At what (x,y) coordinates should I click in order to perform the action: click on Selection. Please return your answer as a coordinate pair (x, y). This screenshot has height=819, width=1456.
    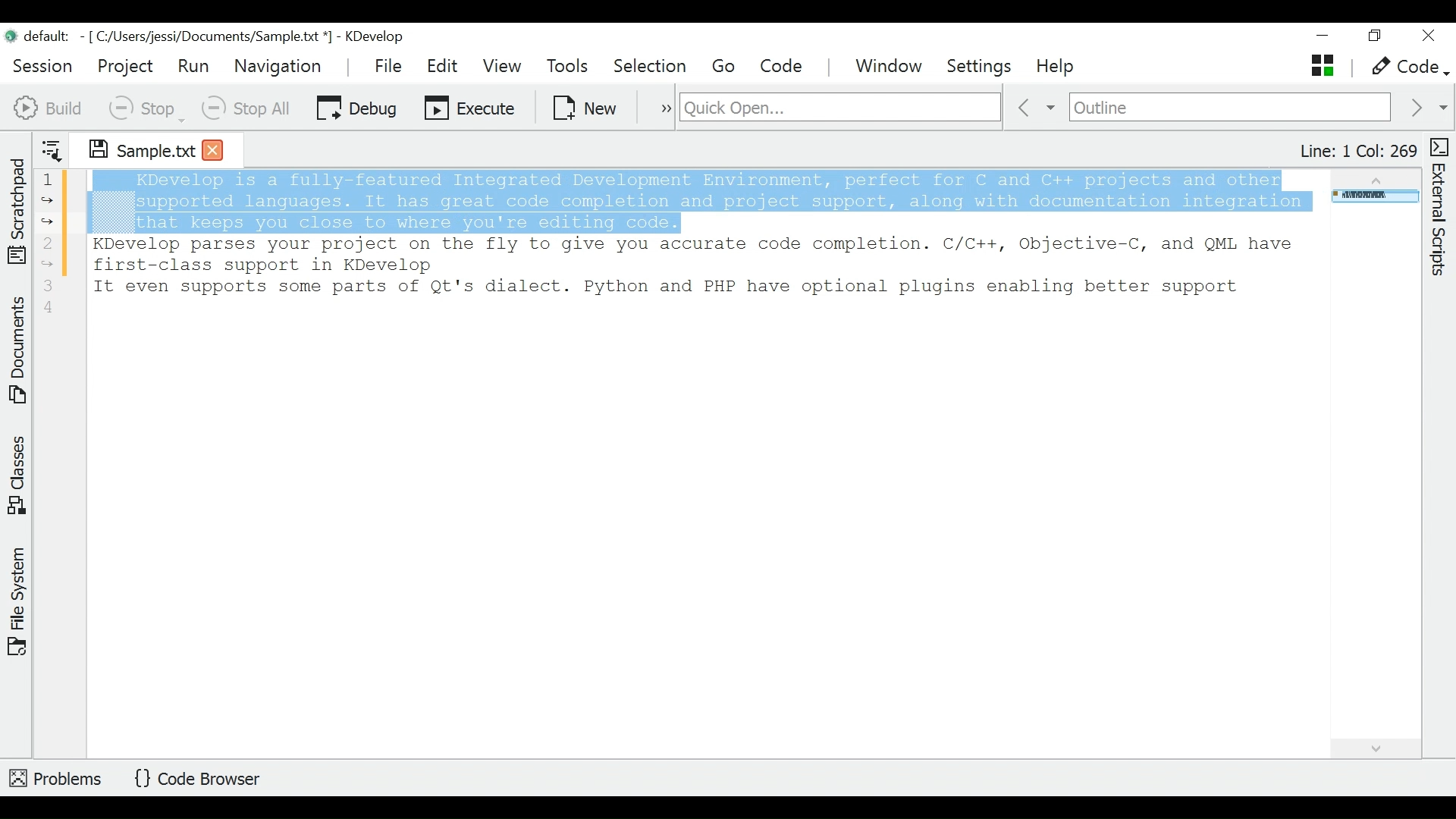
    Looking at the image, I should click on (651, 67).